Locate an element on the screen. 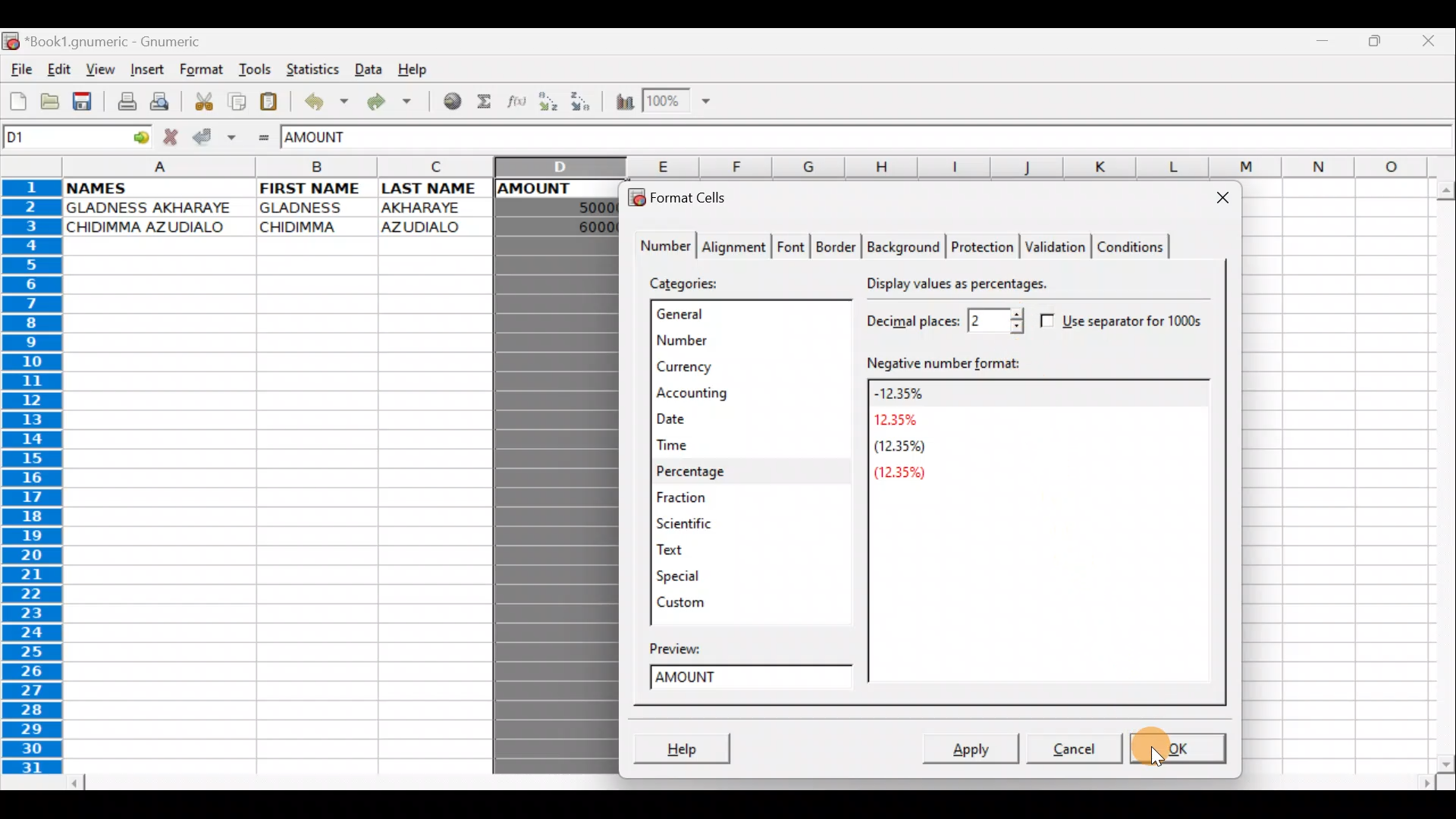 The height and width of the screenshot is (819, 1456). Sort Descending order is located at coordinates (582, 102).